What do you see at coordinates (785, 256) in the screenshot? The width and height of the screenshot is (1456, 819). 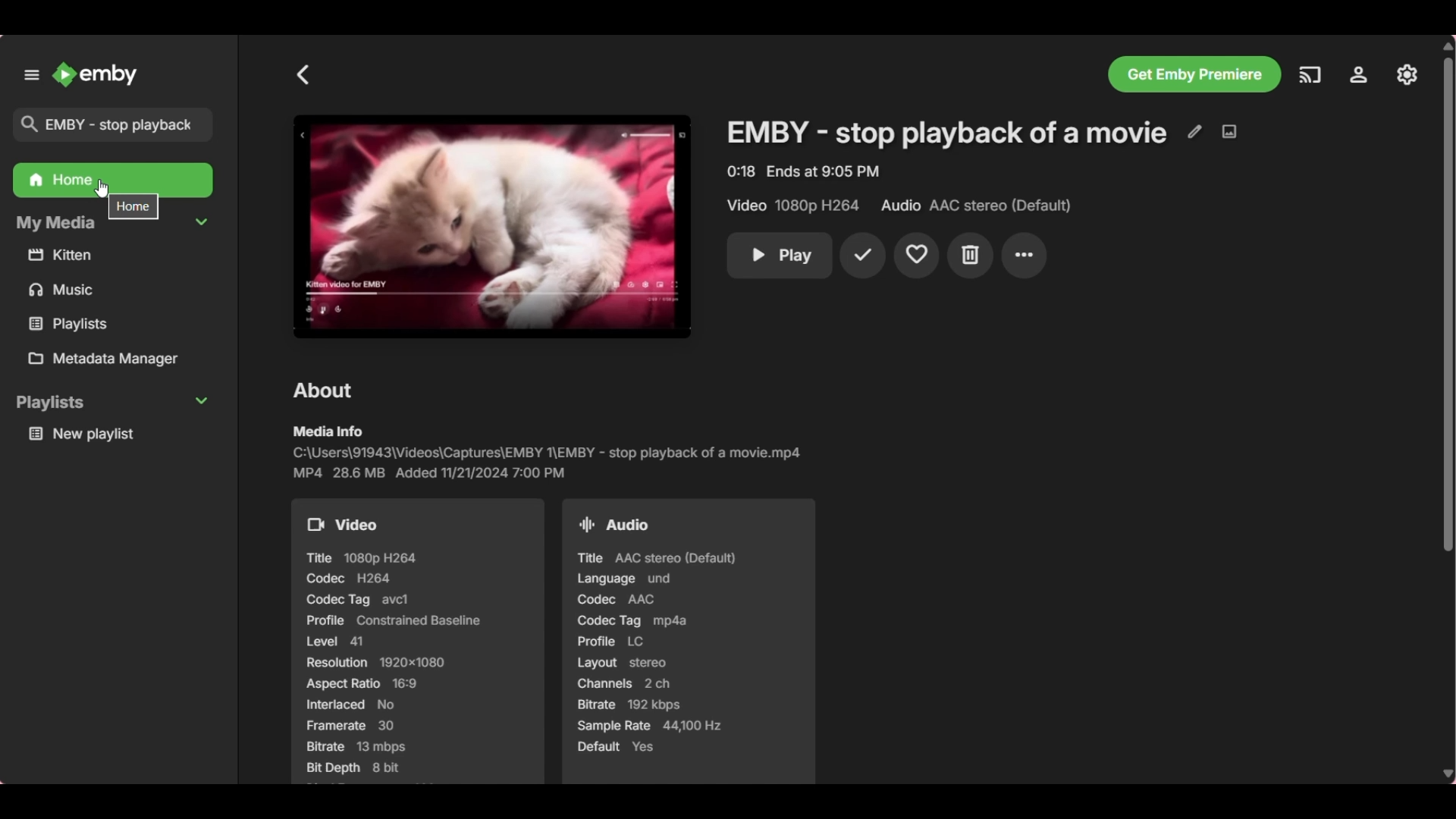 I see `Play` at bounding box center [785, 256].